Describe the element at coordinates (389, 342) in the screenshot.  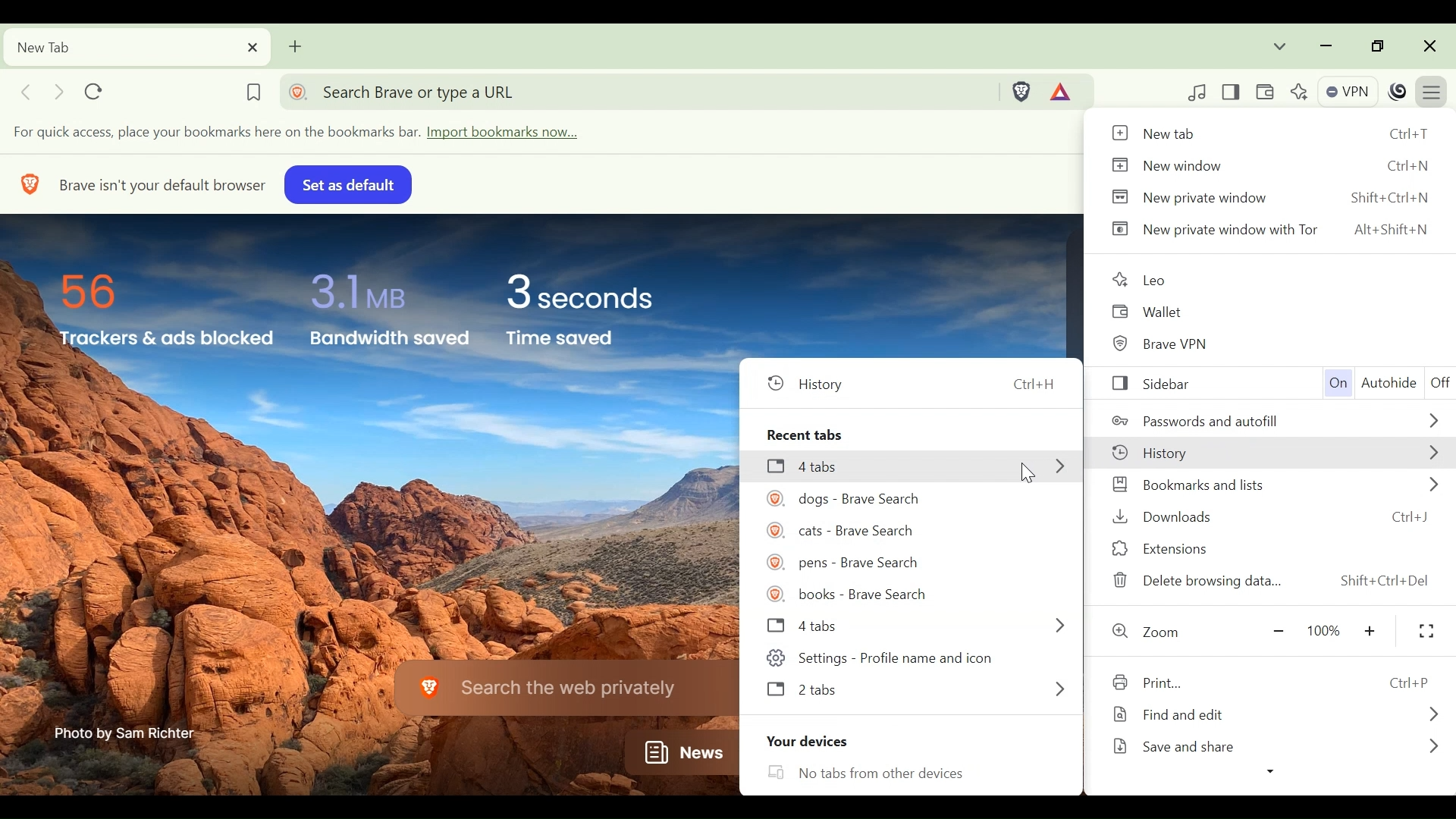
I see `Bandwidth saved` at that location.